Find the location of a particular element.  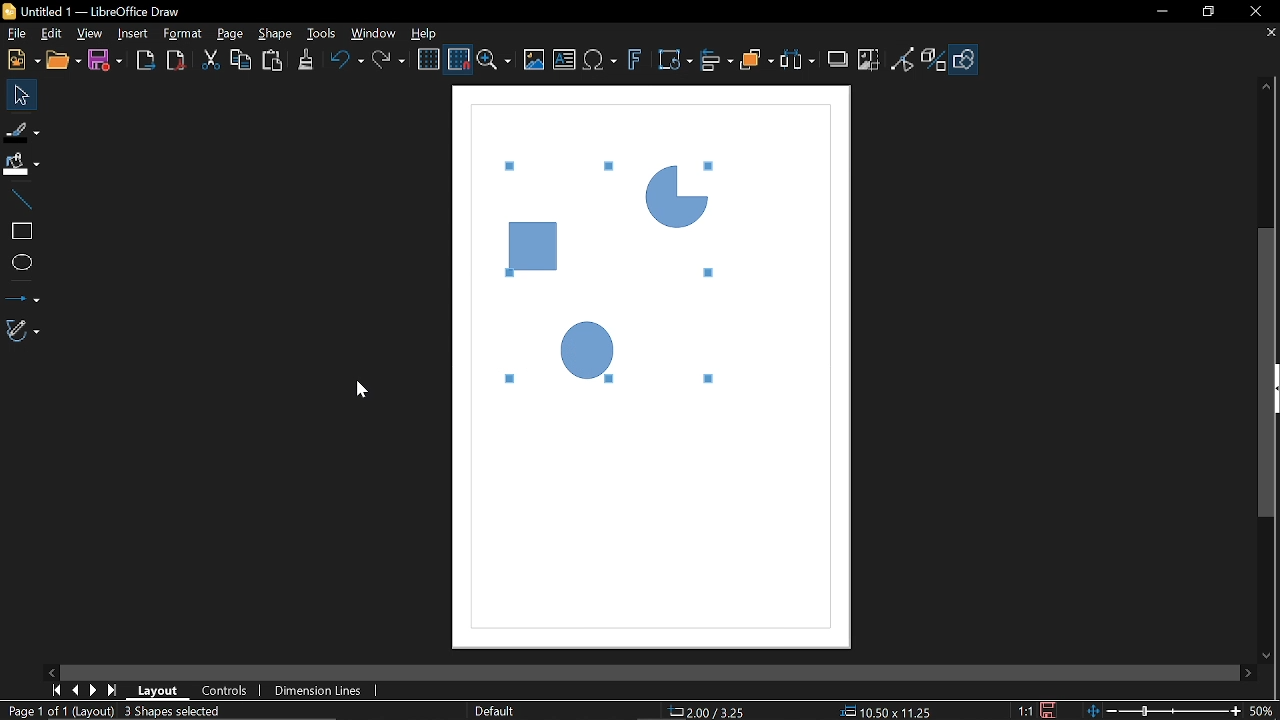

Shadow is located at coordinates (838, 60).